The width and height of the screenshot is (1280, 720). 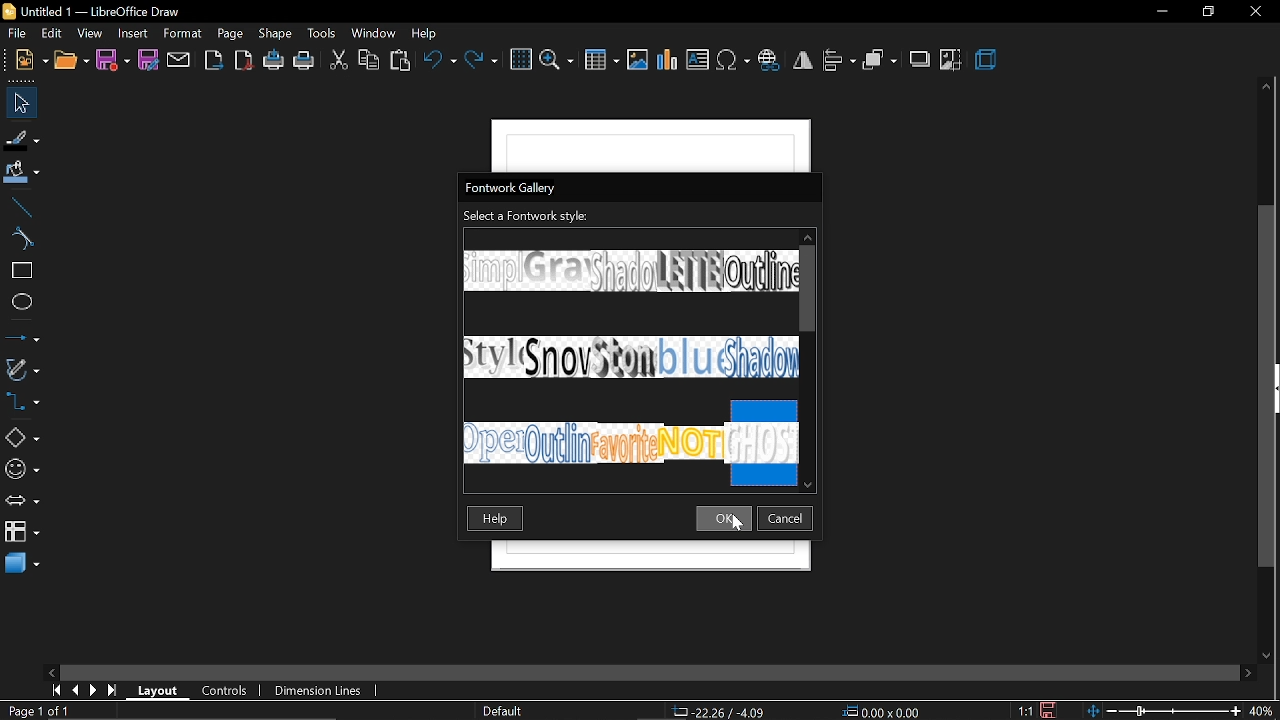 What do you see at coordinates (19, 272) in the screenshot?
I see `rectangle` at bounding box center [19, 272].